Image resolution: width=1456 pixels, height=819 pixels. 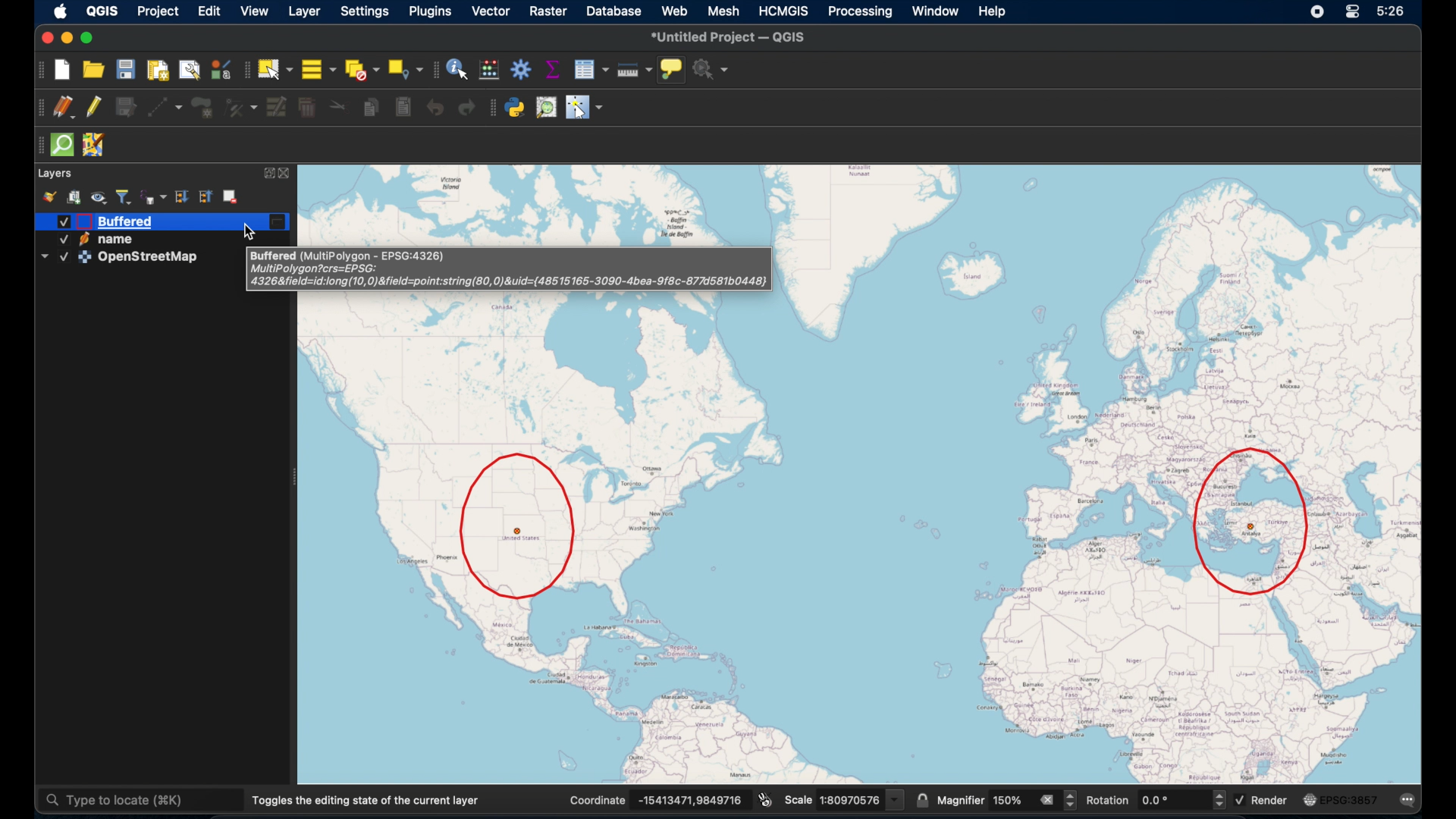 What do you see at coordinates (552, 67) in the screenshot?
I see `show statistical summary` at bounding box center [552, 67].